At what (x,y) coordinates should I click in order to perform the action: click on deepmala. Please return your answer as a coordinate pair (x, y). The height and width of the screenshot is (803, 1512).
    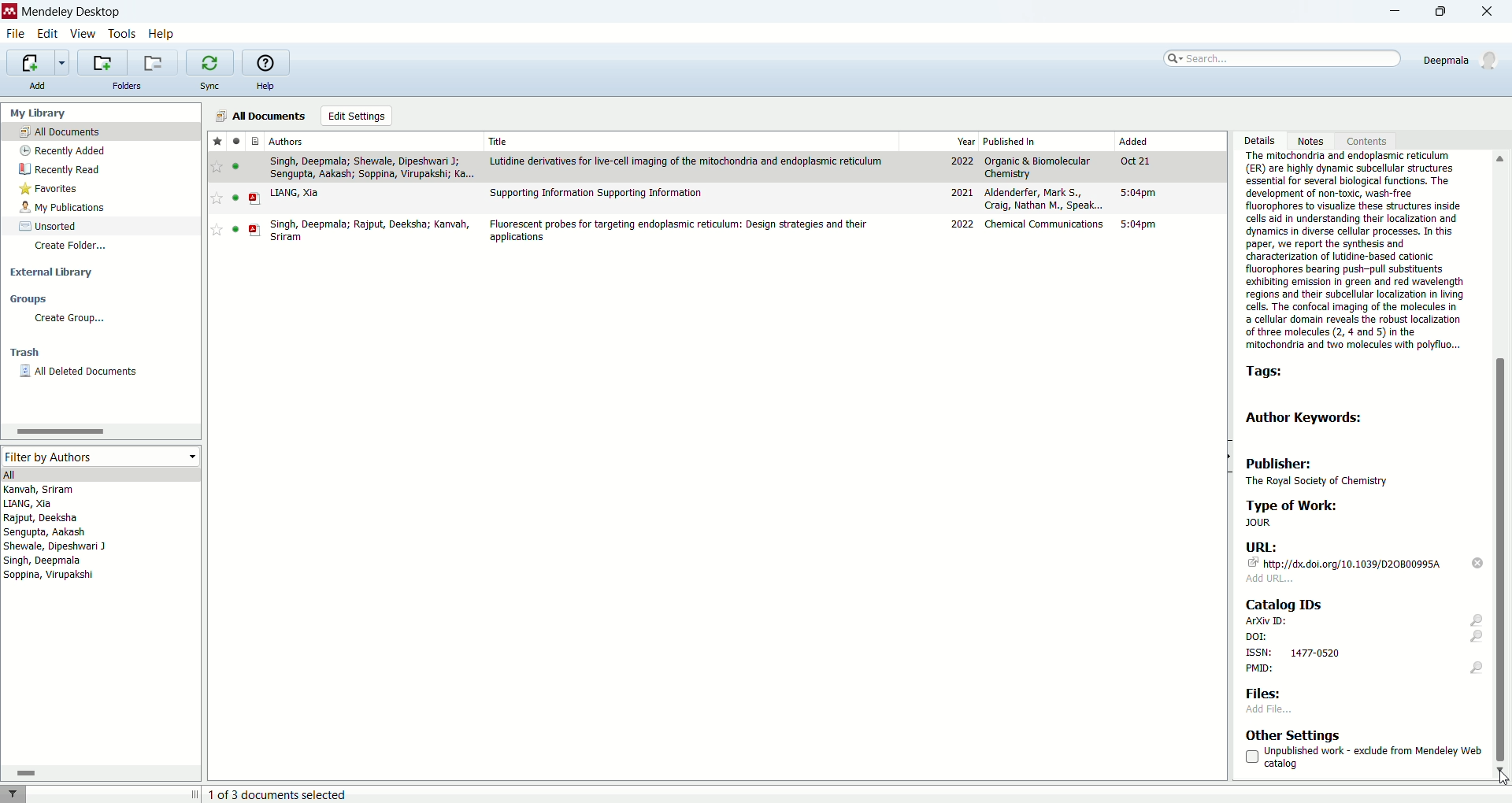
    Looking at the image, I should click on (1463, 60).